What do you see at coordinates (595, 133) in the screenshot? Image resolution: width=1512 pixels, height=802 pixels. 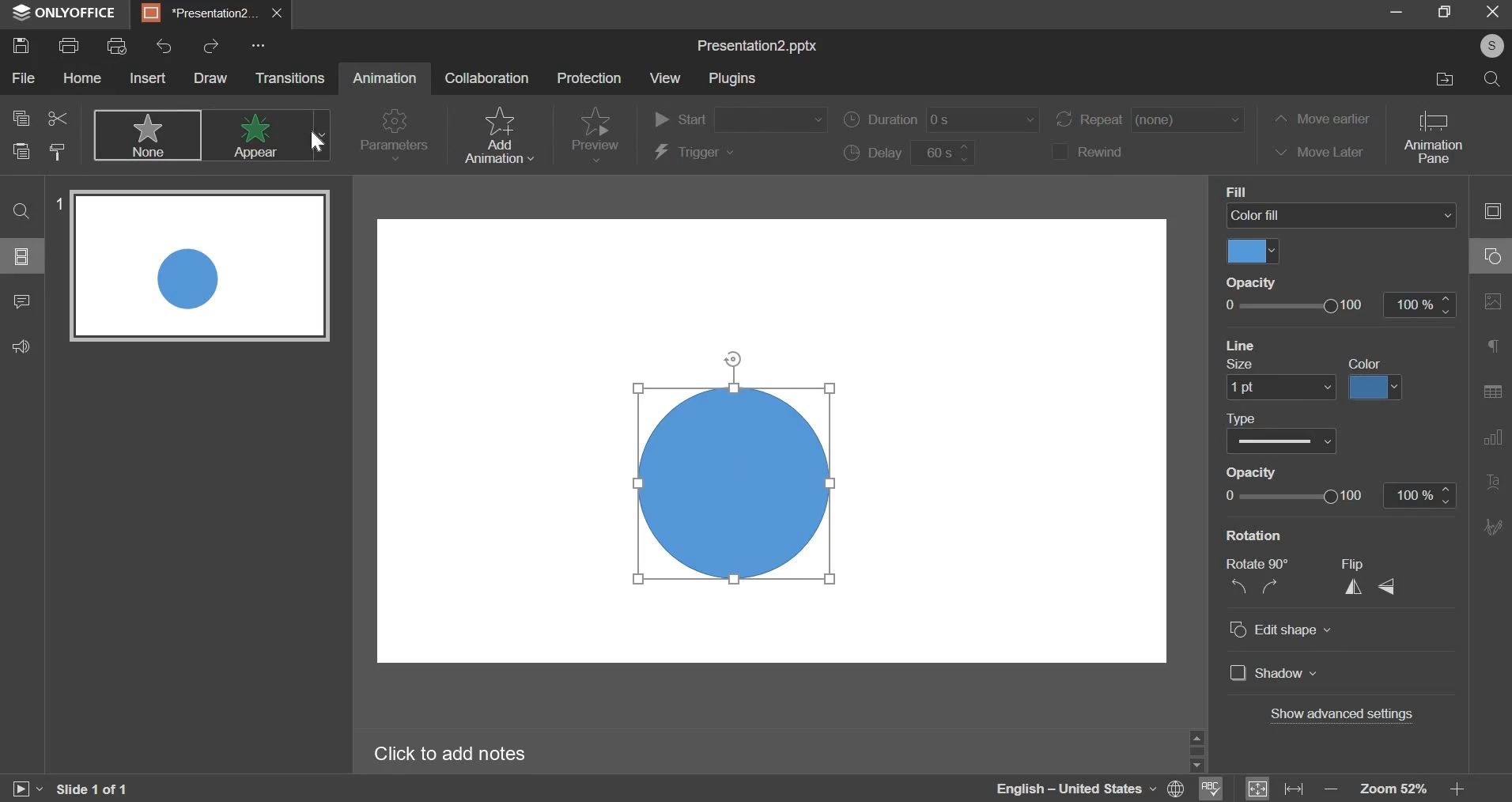 I see `preview` at bounding box center [595, 133].